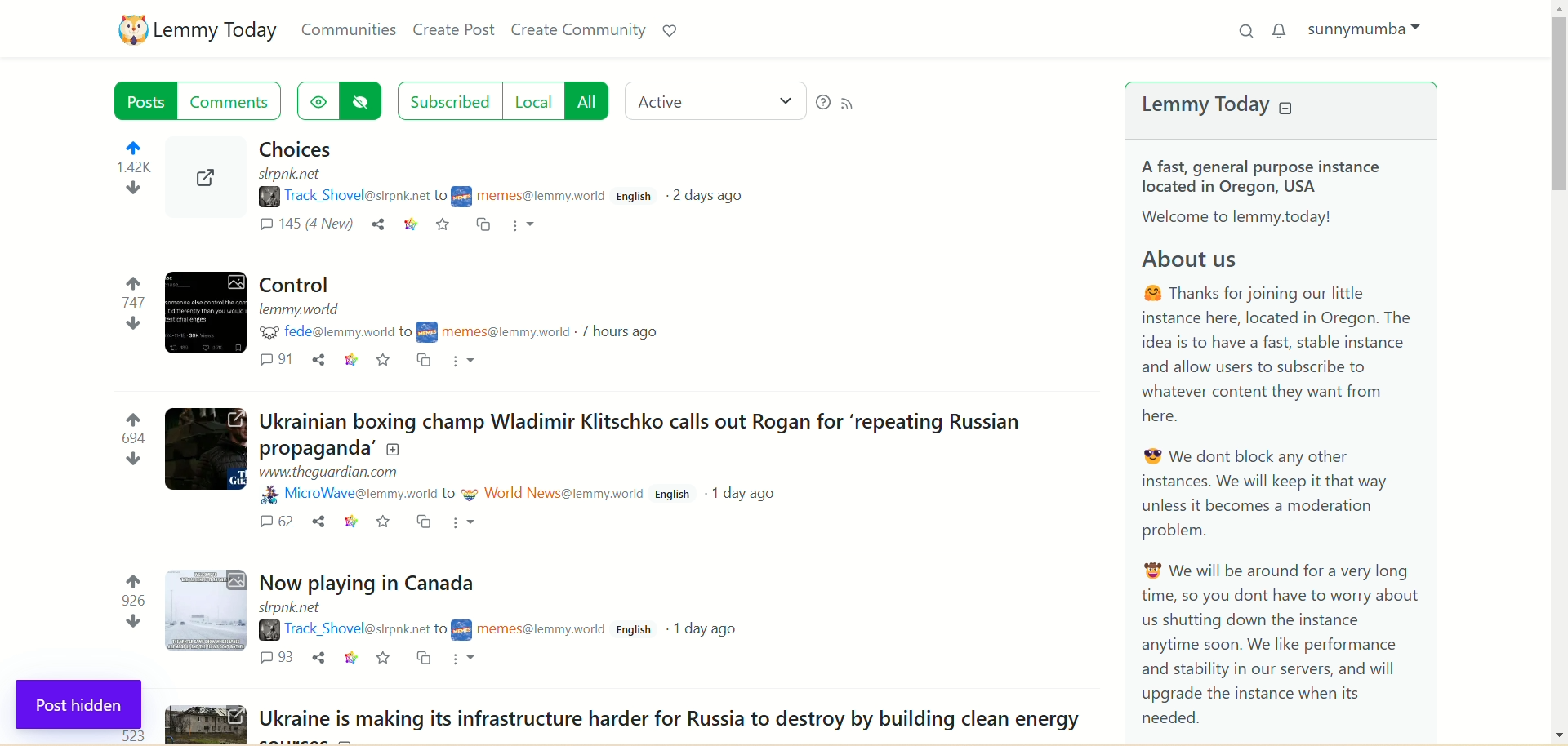  What do you see at coordinates (430, 151) in the screenshot?
I see `post on  "Choices"` at bounding box center [430, 151].